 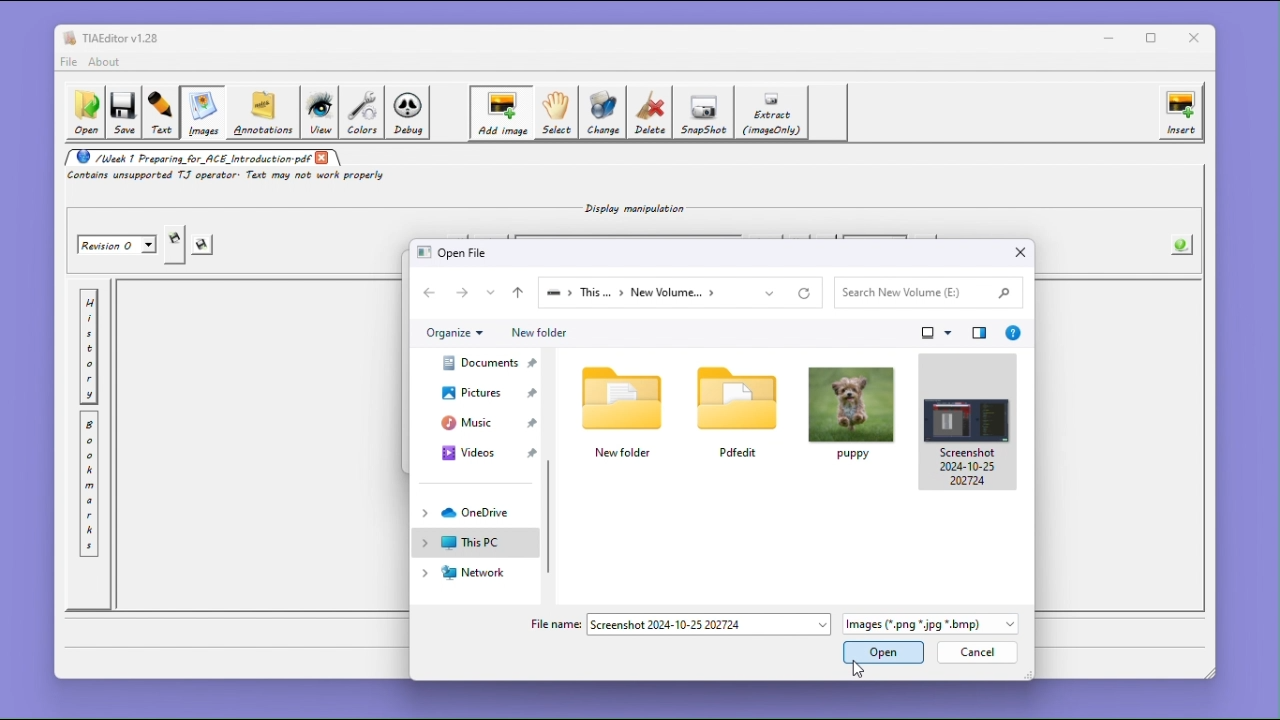 What do you see at coordinates (479, 422) in the screenshot?
I see `music` at bounding box center [479, 422].